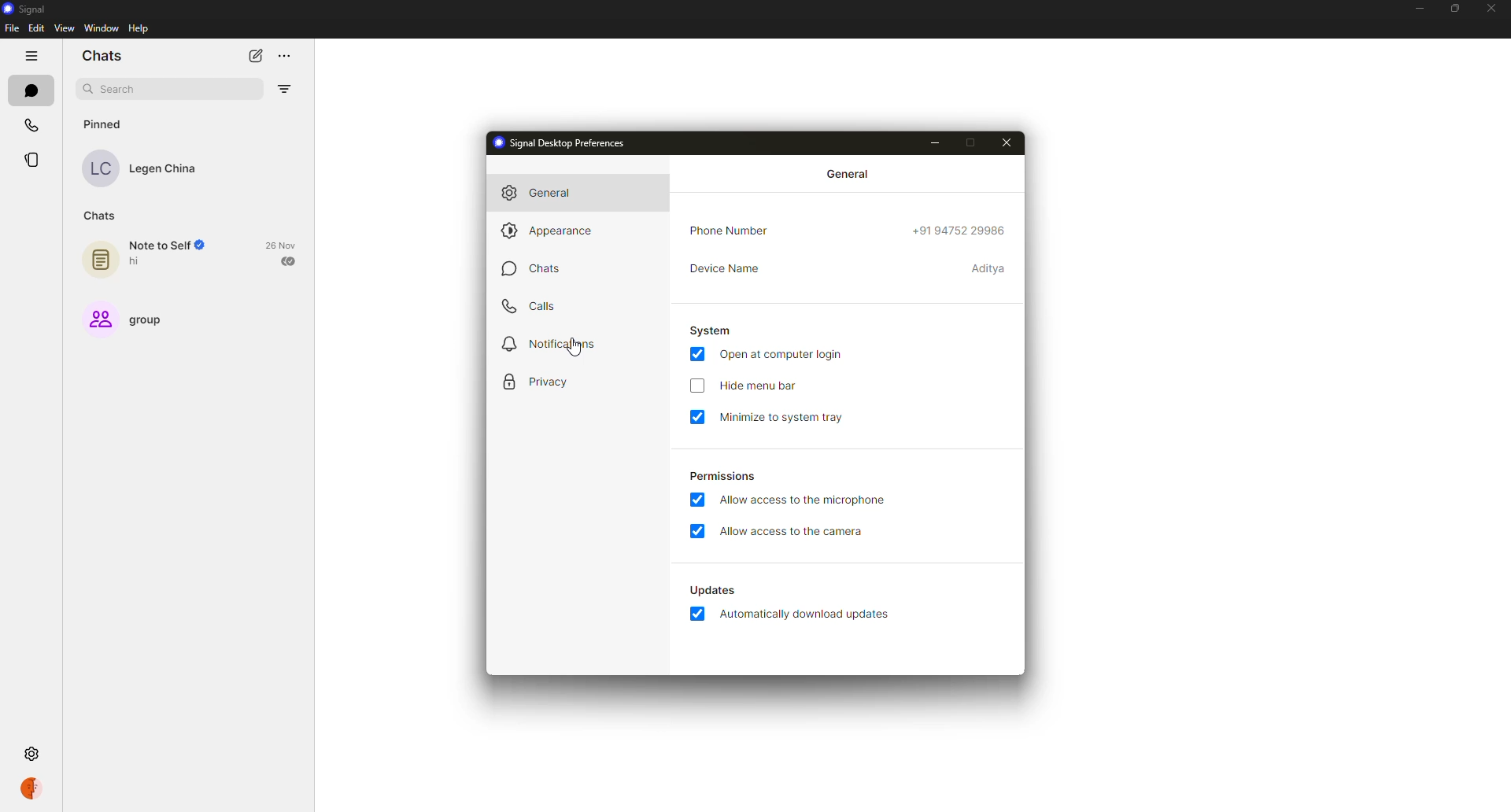 The image size is (1511, 812). Describe the element at coordinates (33, 124) in the screenshot. I see `calls` at that location.